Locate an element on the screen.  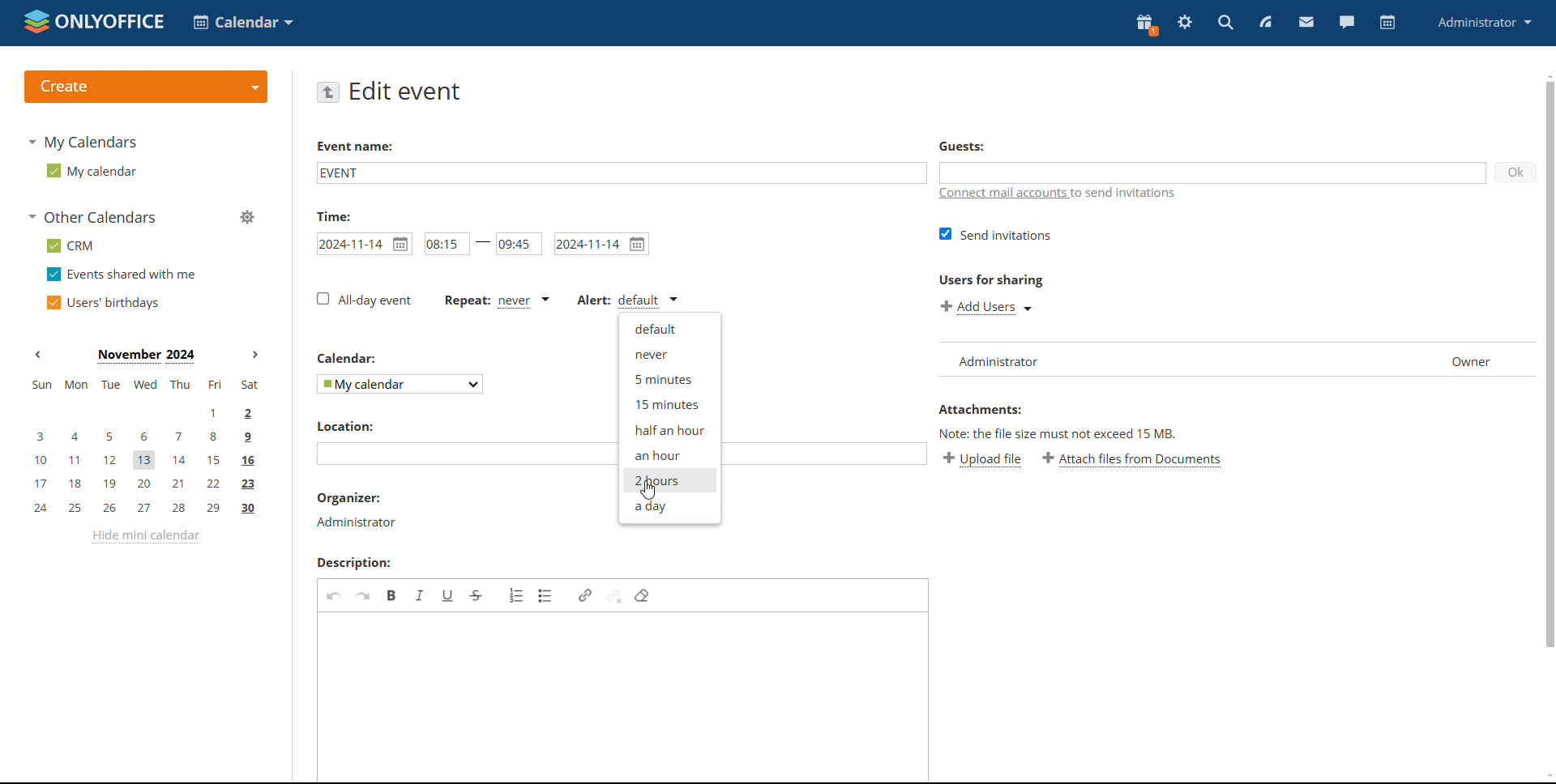
end date is located at coordinates (601, 244).